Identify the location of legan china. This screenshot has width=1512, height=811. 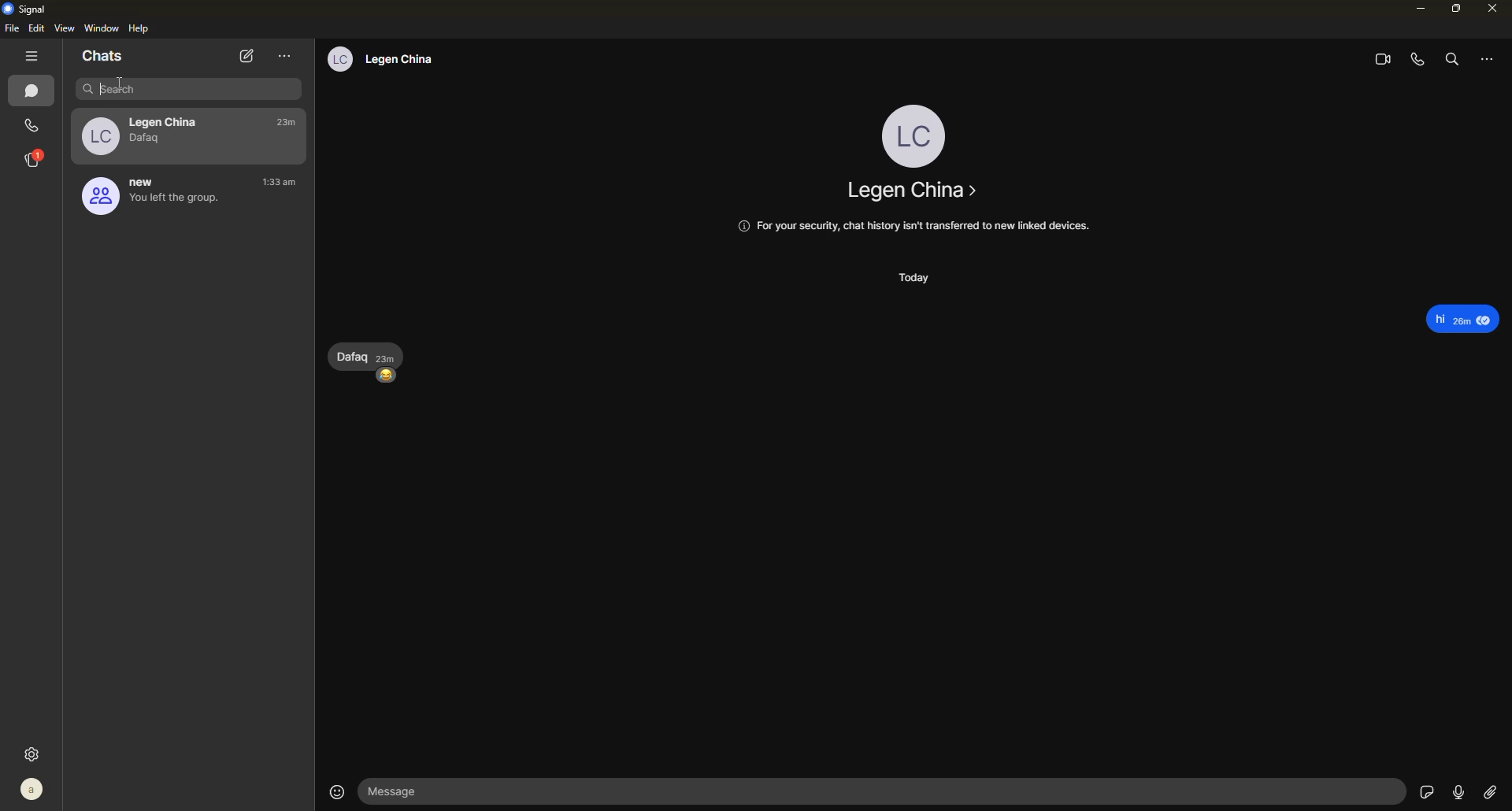
(407, 61).